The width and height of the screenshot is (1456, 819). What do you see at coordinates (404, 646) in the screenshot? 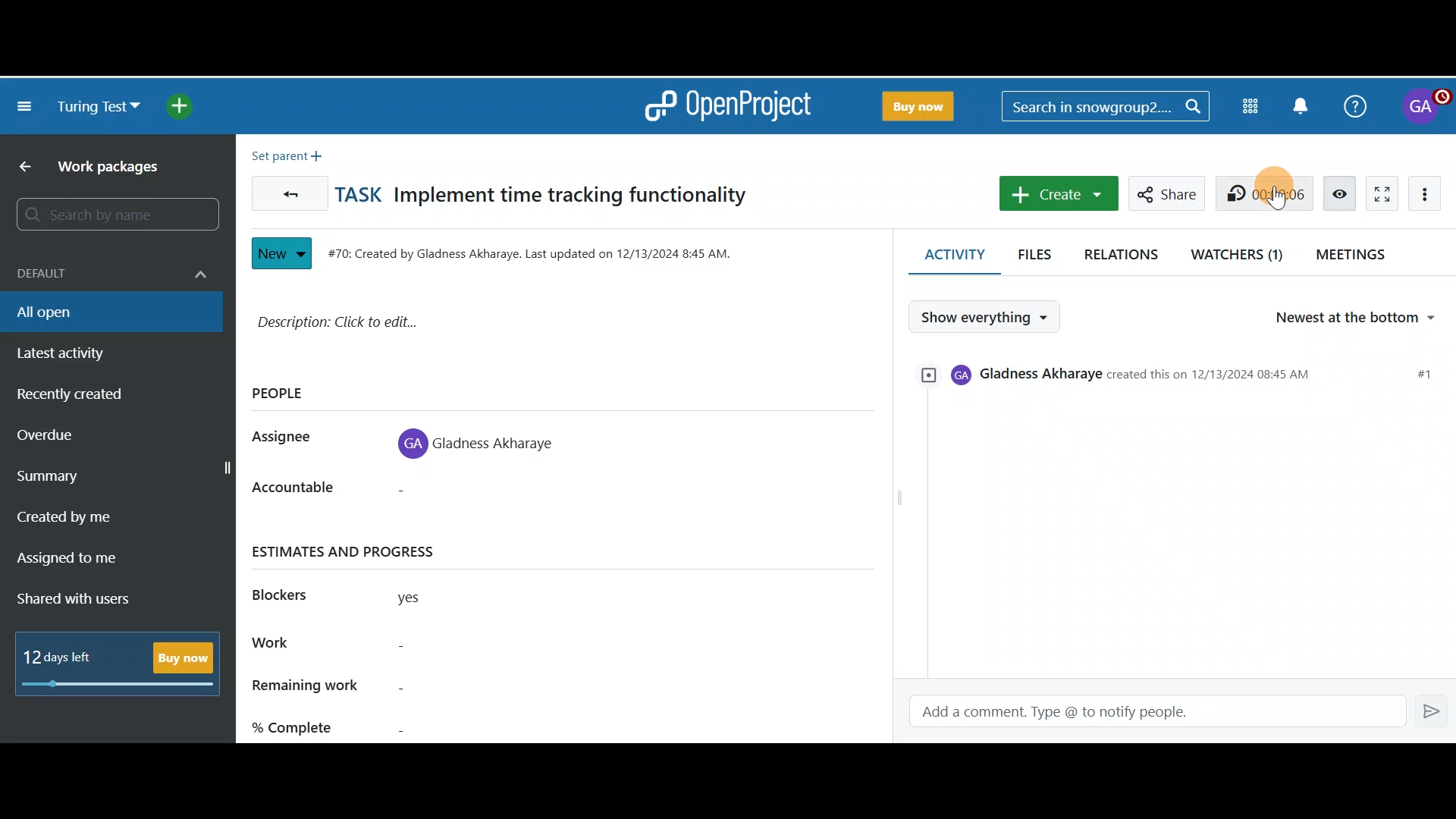
I see `Work` at bounding box center [404, 646].